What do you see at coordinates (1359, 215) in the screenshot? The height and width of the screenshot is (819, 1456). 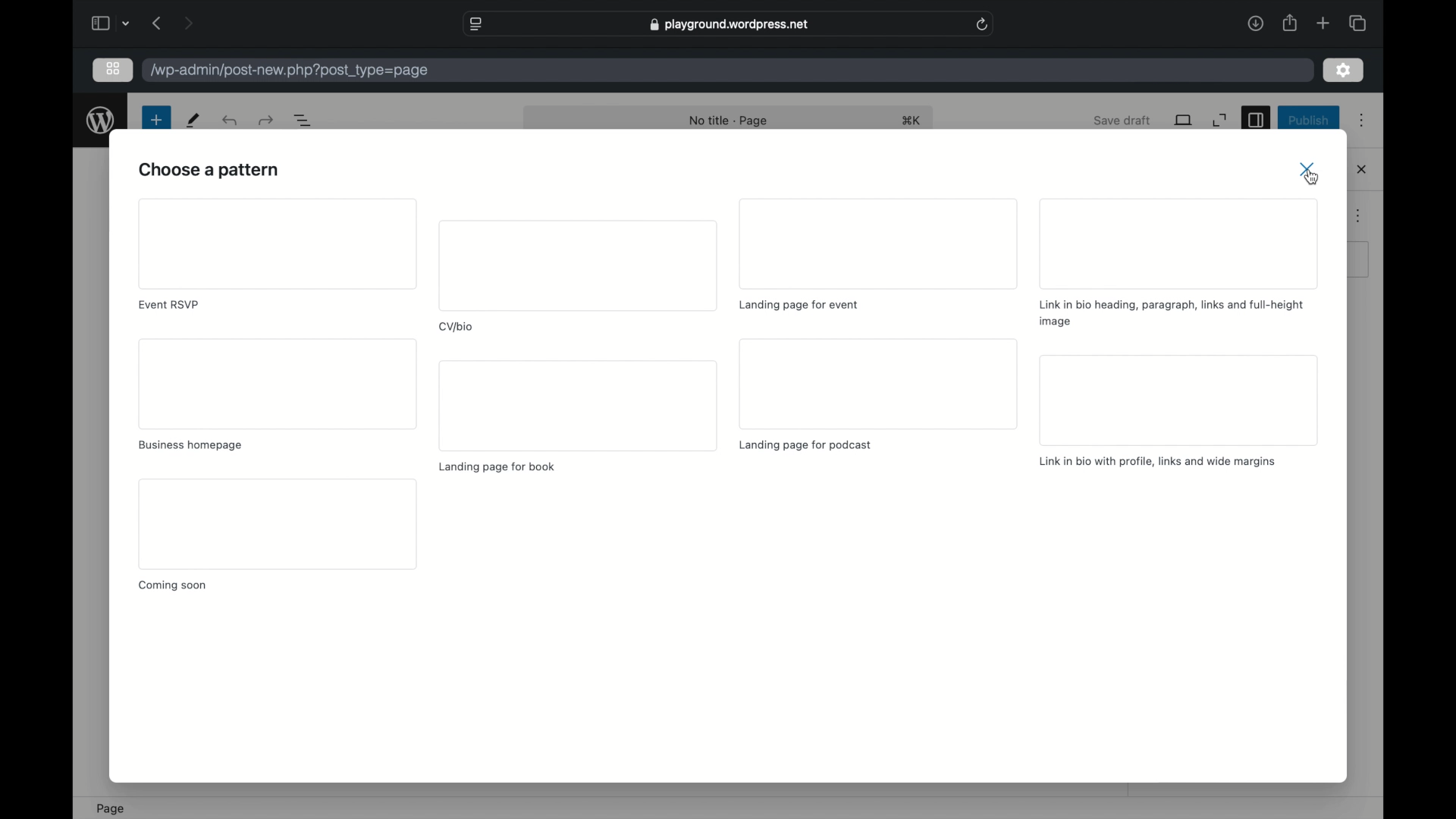 I see `more options` at bounding box center [1359, 215].